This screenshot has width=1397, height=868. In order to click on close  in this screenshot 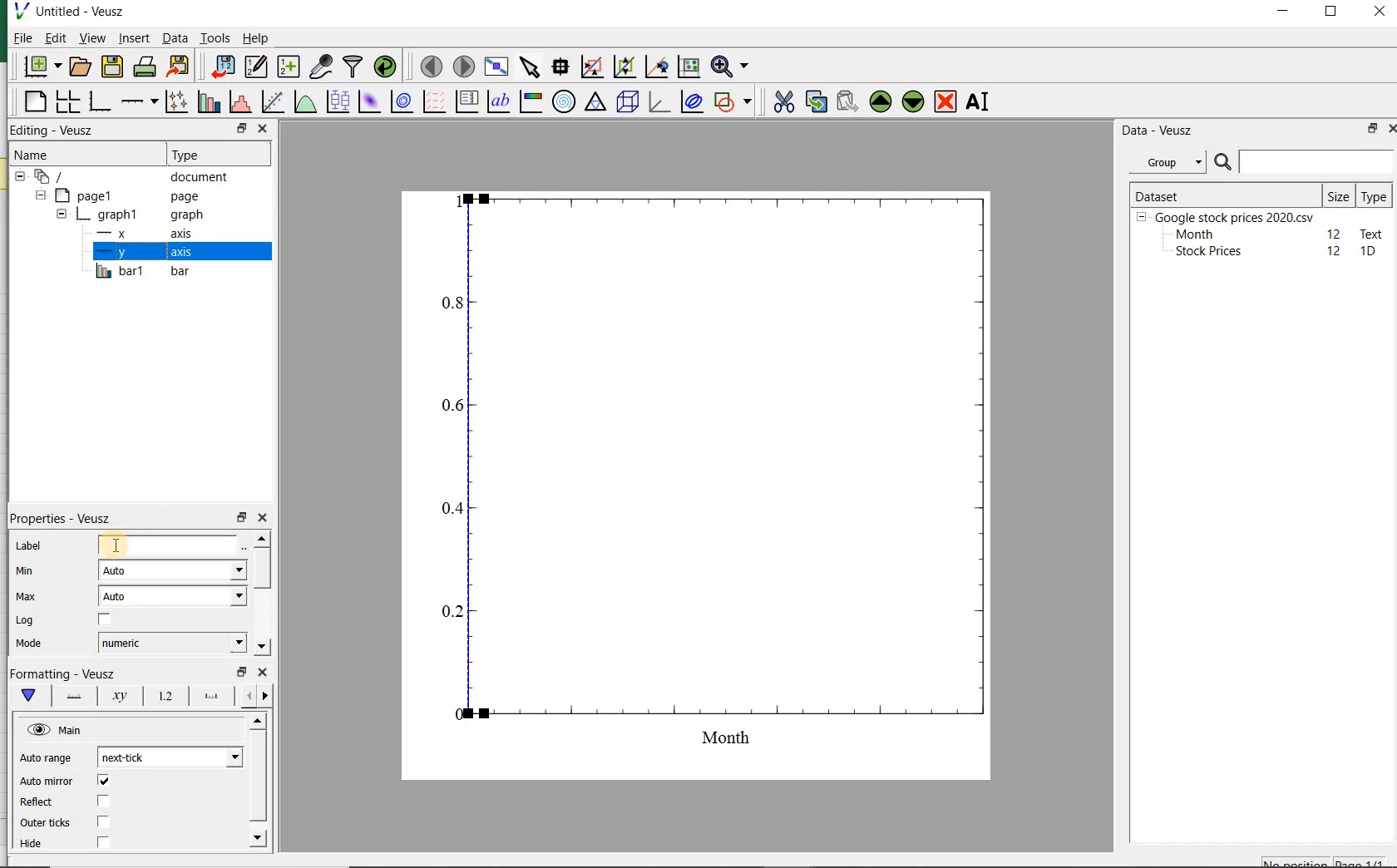, I will do `click(1396, 129)`.